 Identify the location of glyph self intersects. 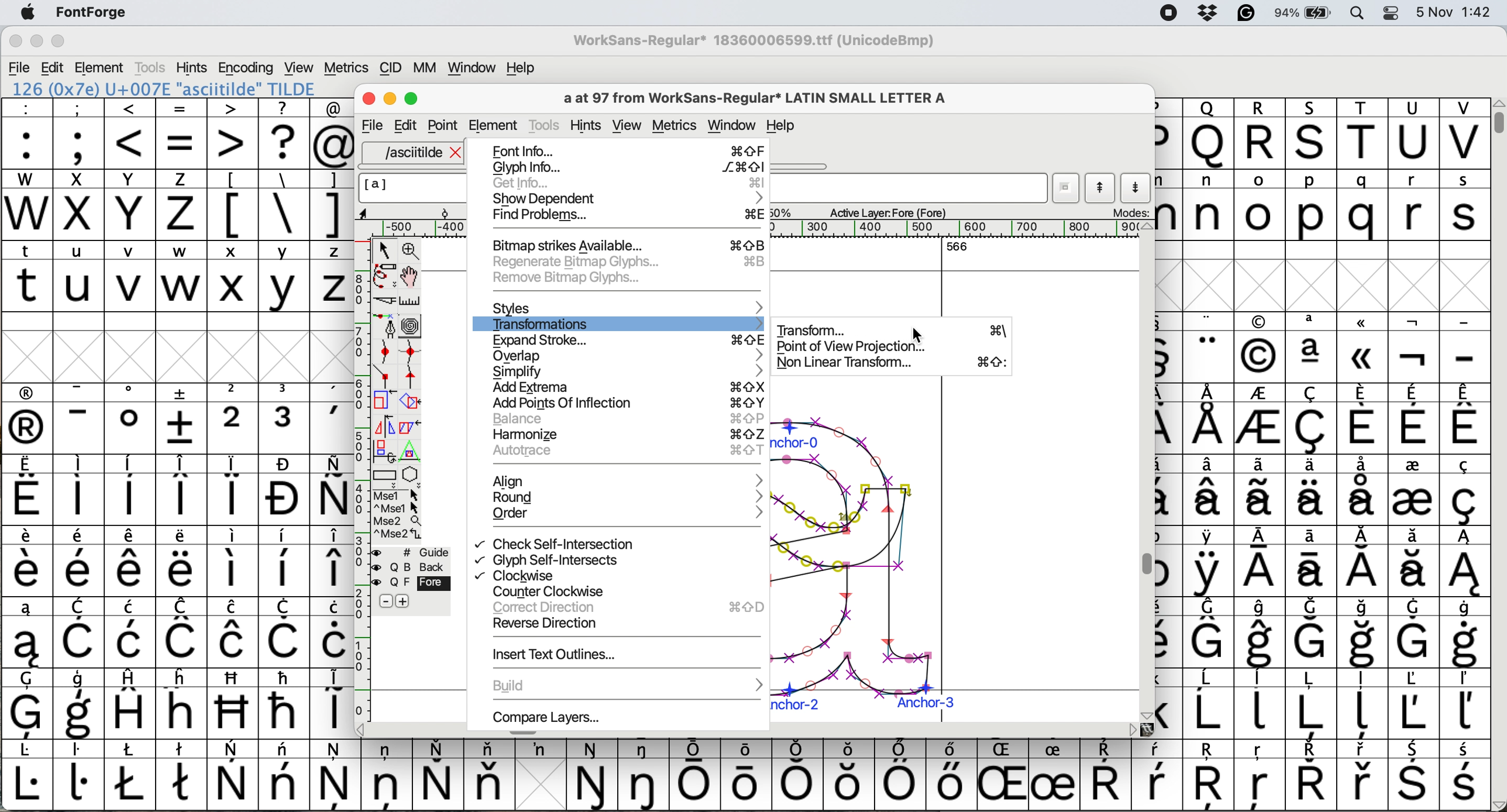
(549, 560).